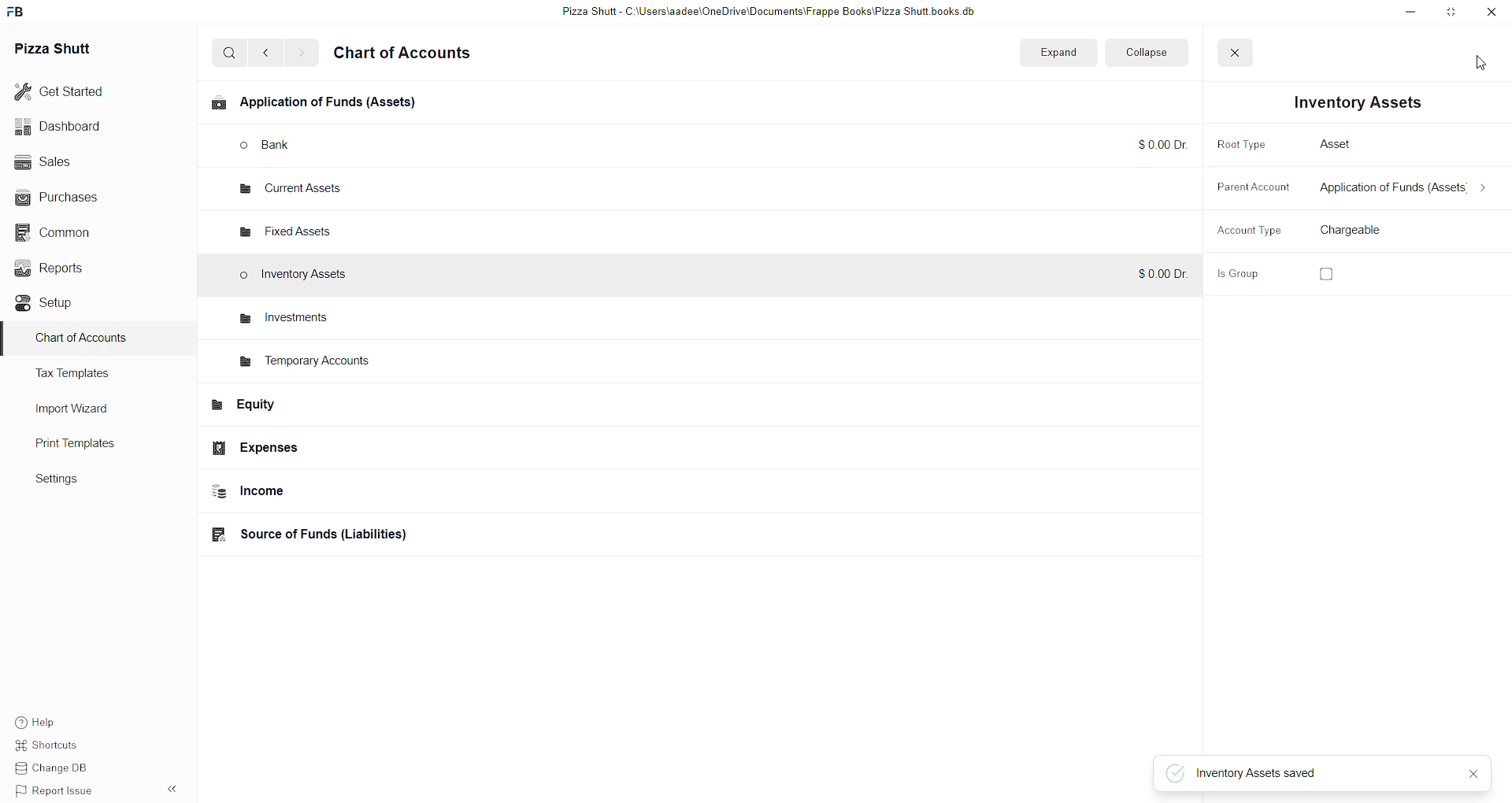  Describe the element at coordinates (69, 270) in the screenshot. I see `Reports` at that location.